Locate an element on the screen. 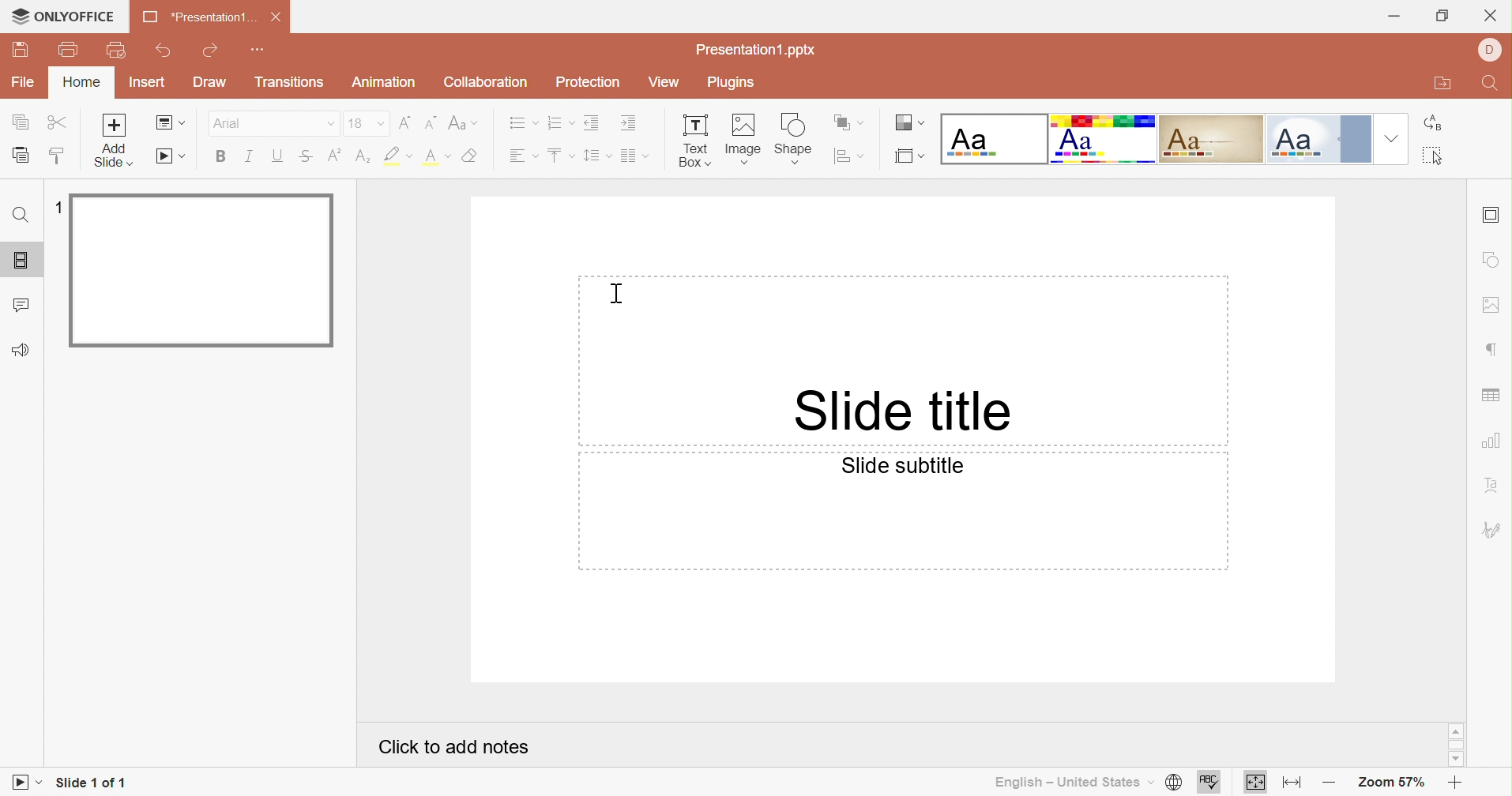 This screenshot has height=796, width=1512. Classic is located at coordinates (1213, 140).